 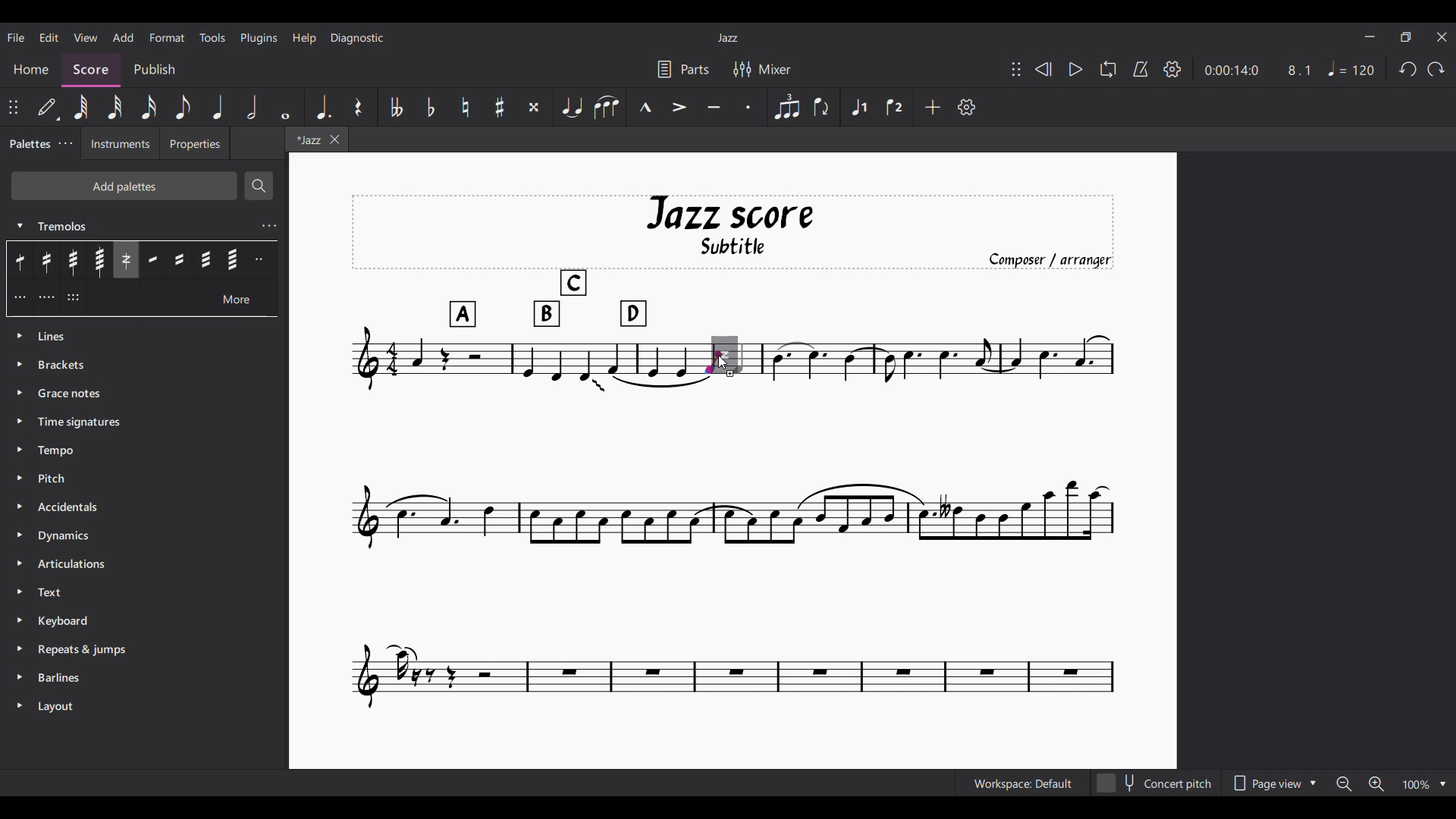 What do you see at coordinates (124, 37) in the screenshot?
I see `Add` at bounding box center [124, 37].